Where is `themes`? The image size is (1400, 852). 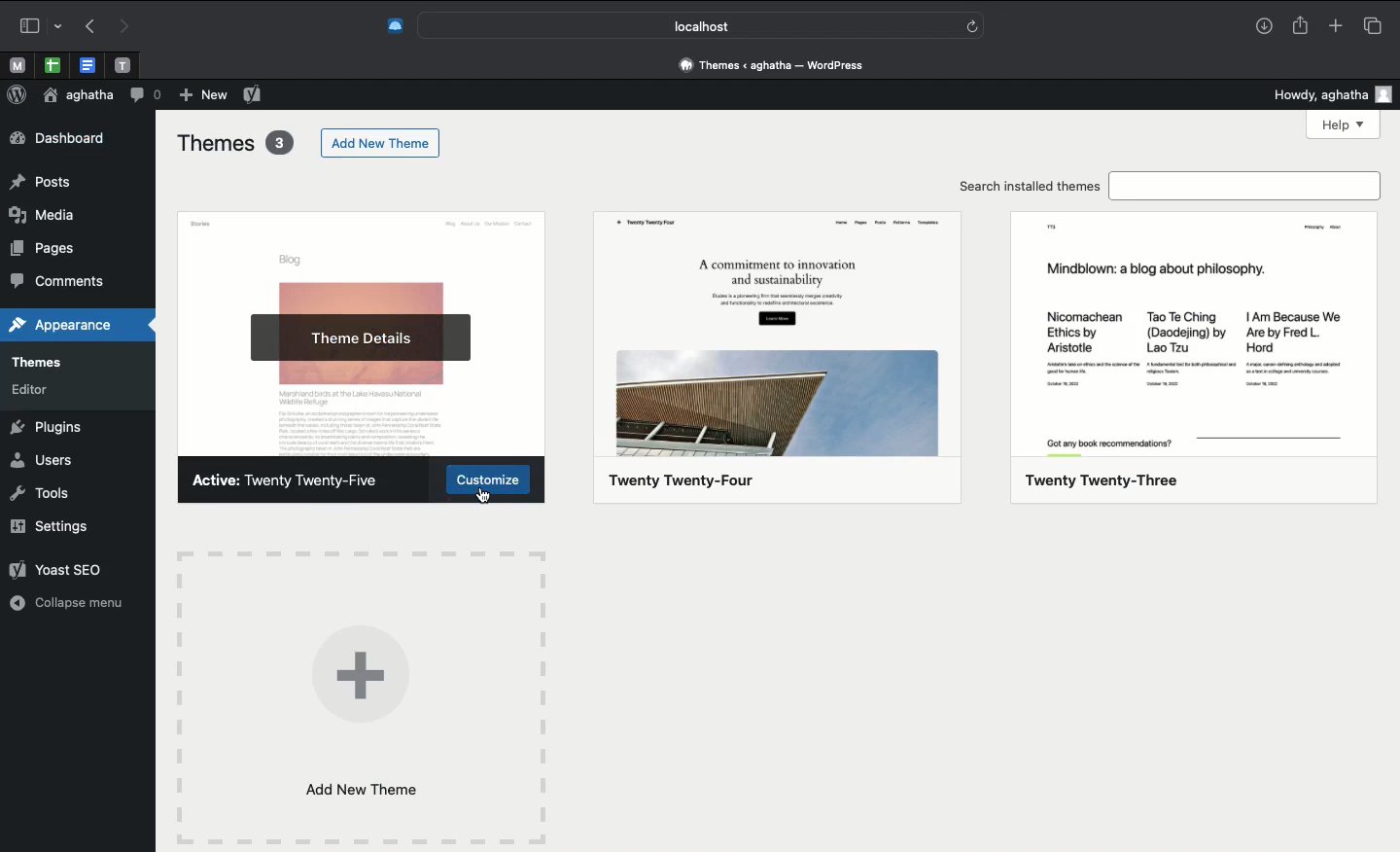
themes is located at coordinates (57, 361).